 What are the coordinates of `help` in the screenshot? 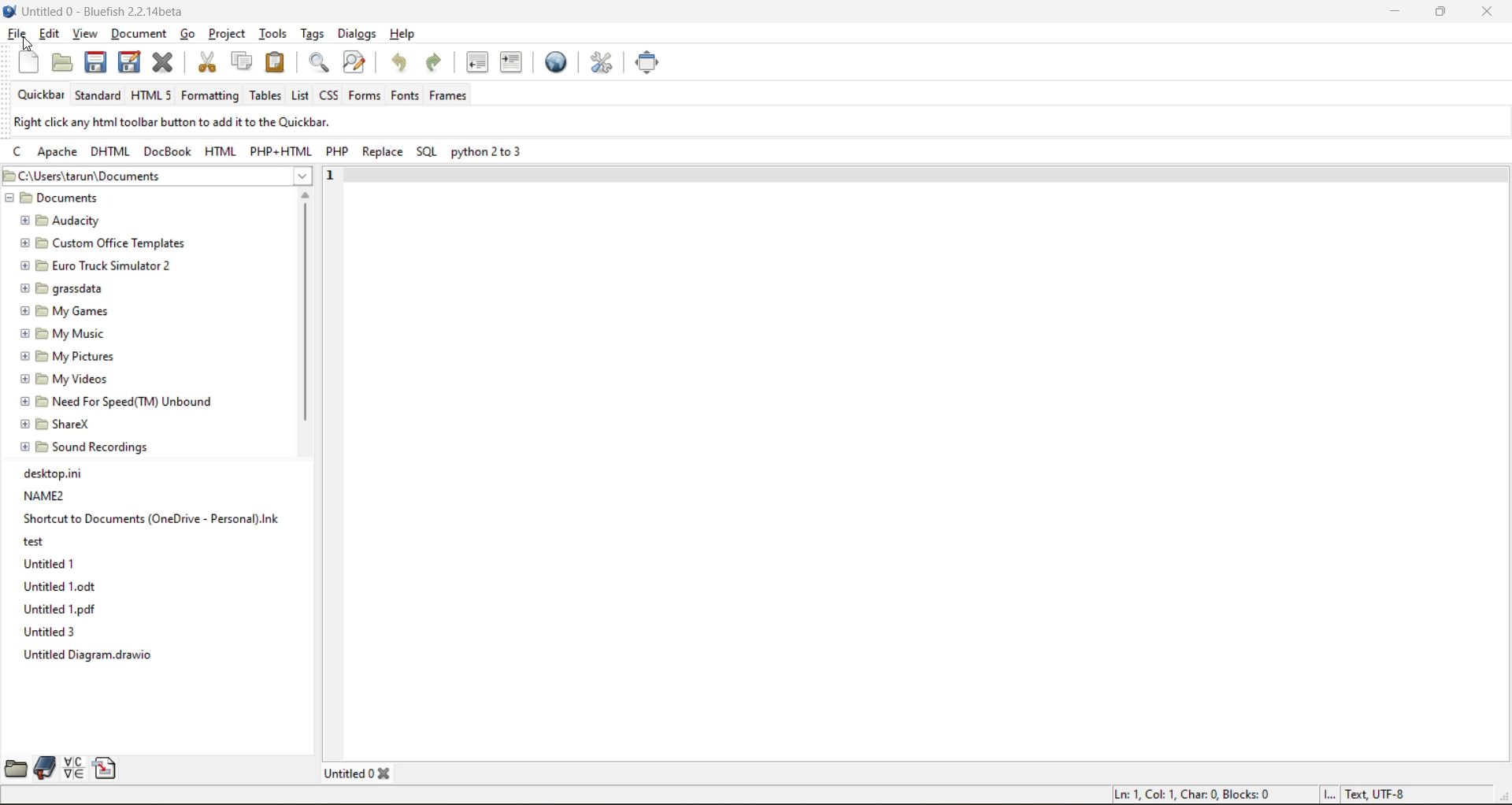 It's located at (406, 34).